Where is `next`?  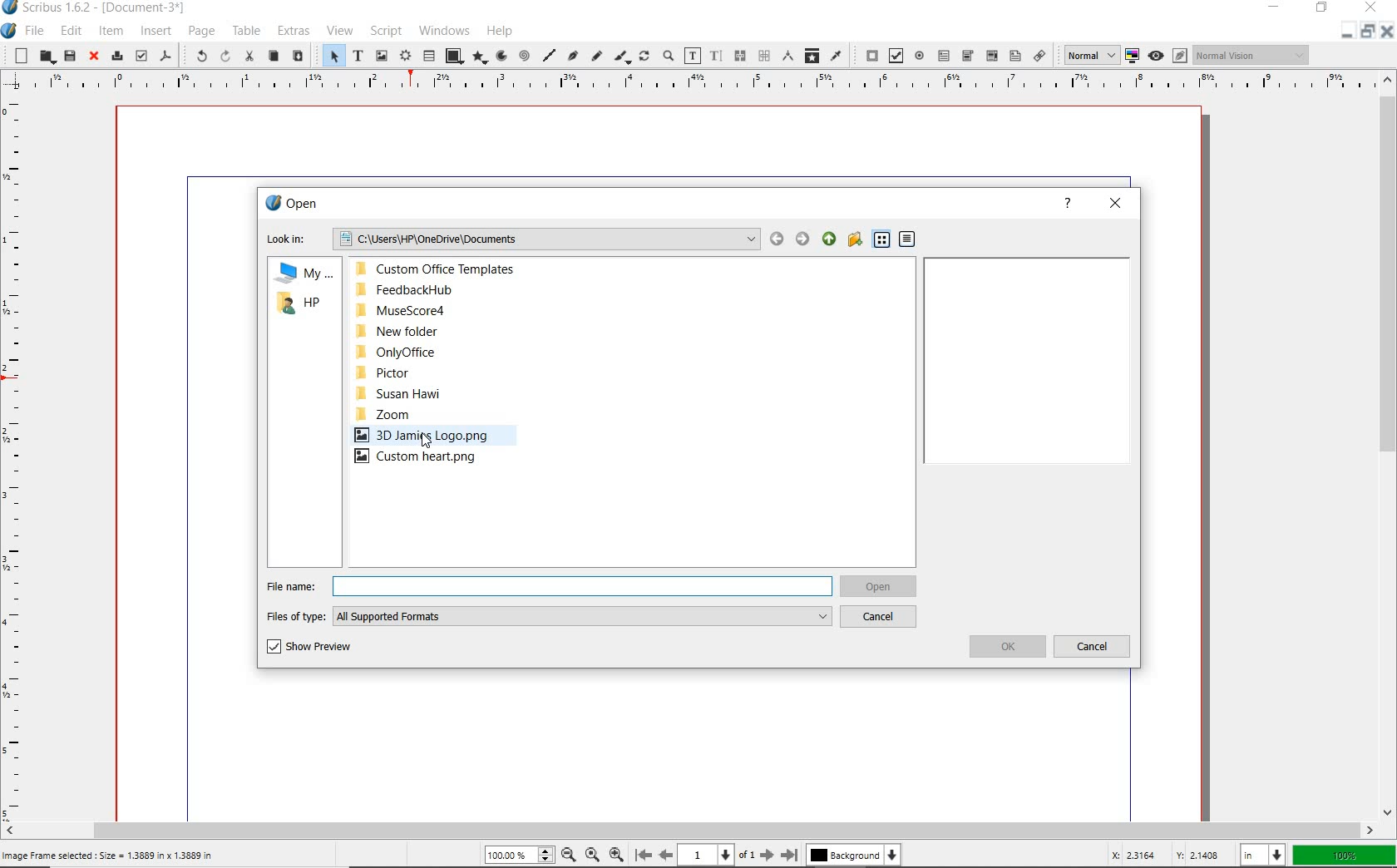 next is located at coordinates (766, 856).